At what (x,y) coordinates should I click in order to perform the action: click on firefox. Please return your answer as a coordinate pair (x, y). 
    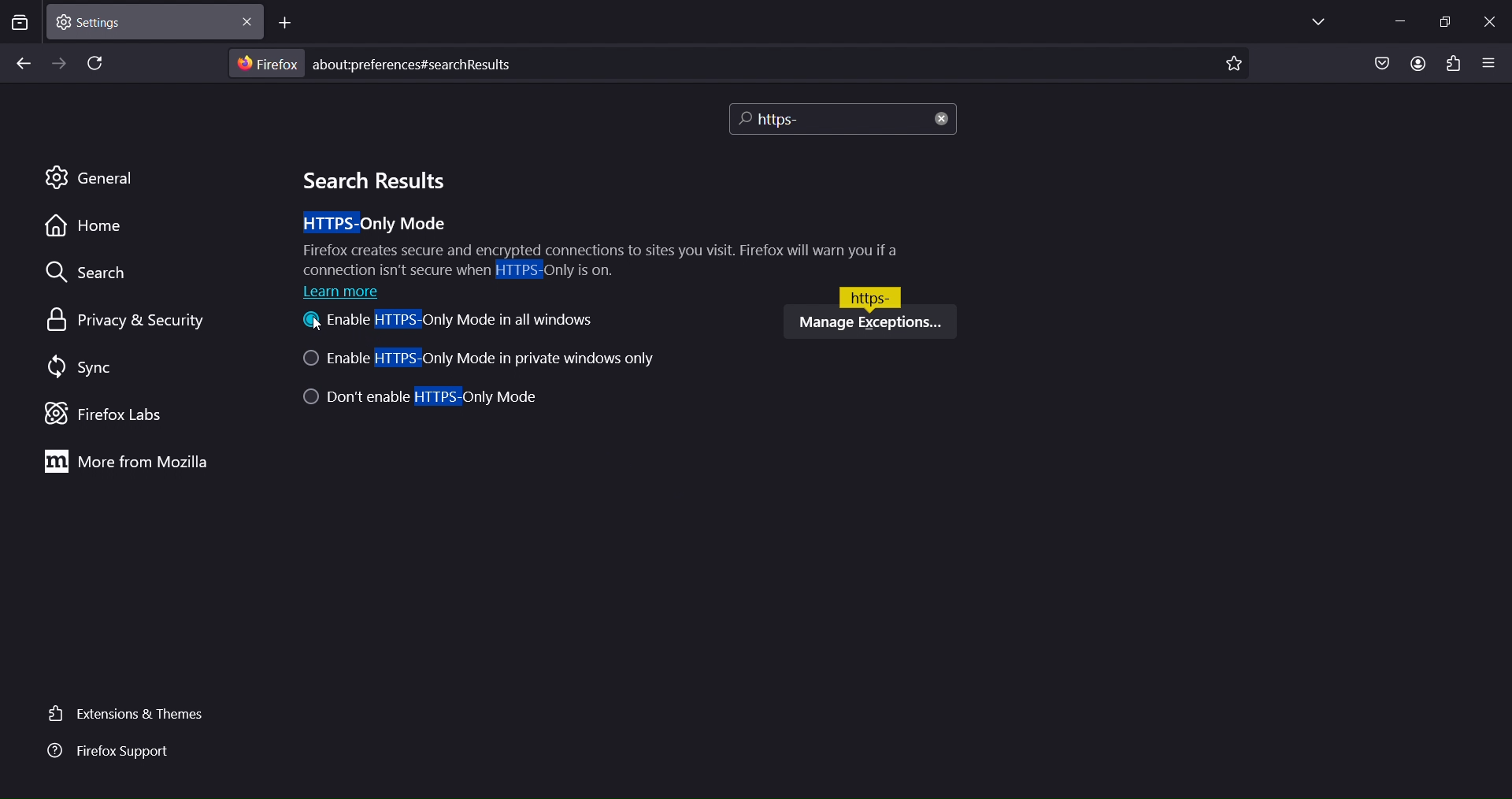
    Looking at the image, I should click on (265, 63).